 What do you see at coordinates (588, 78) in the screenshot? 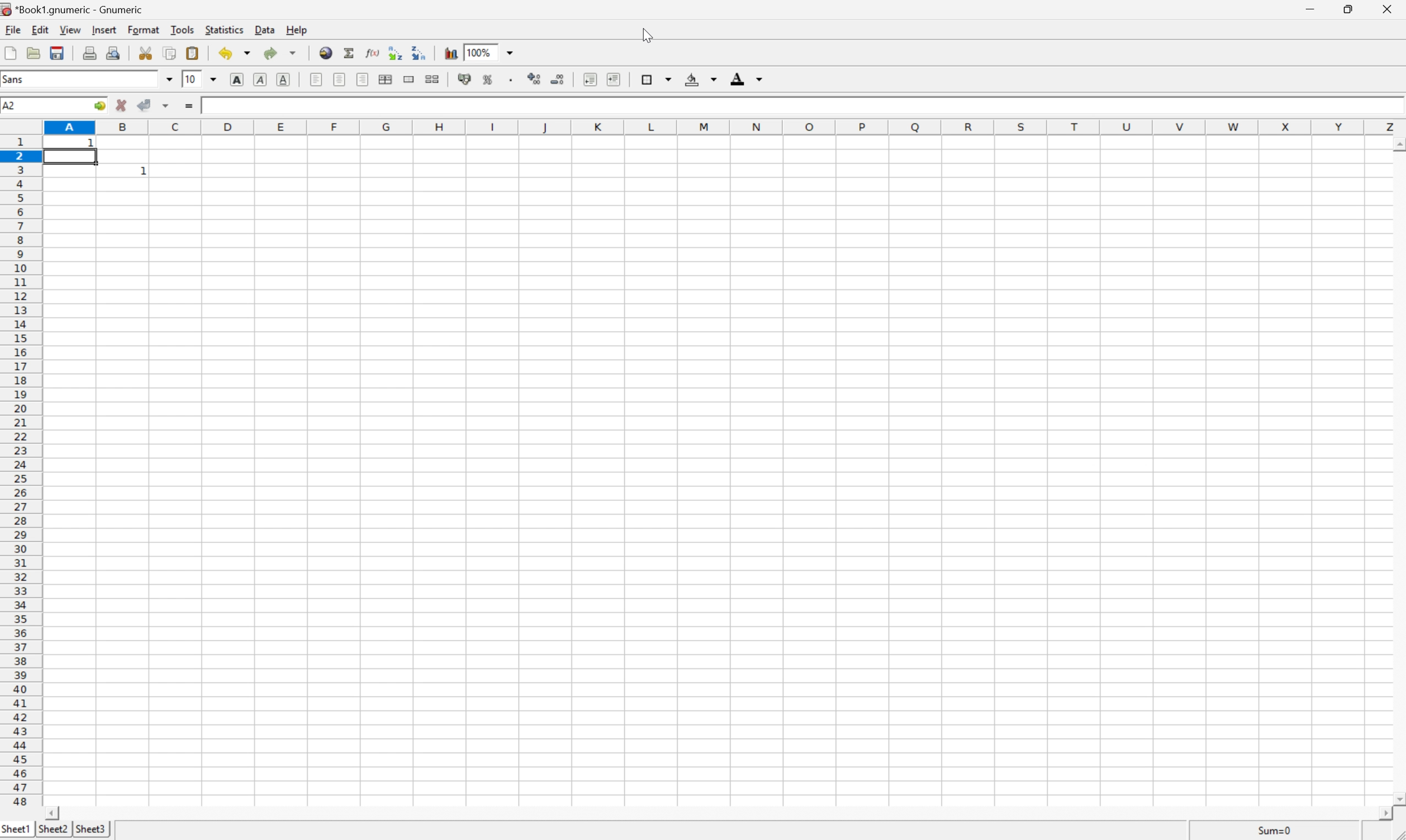
I see `decrease indent` at bounding box center [588, 78].